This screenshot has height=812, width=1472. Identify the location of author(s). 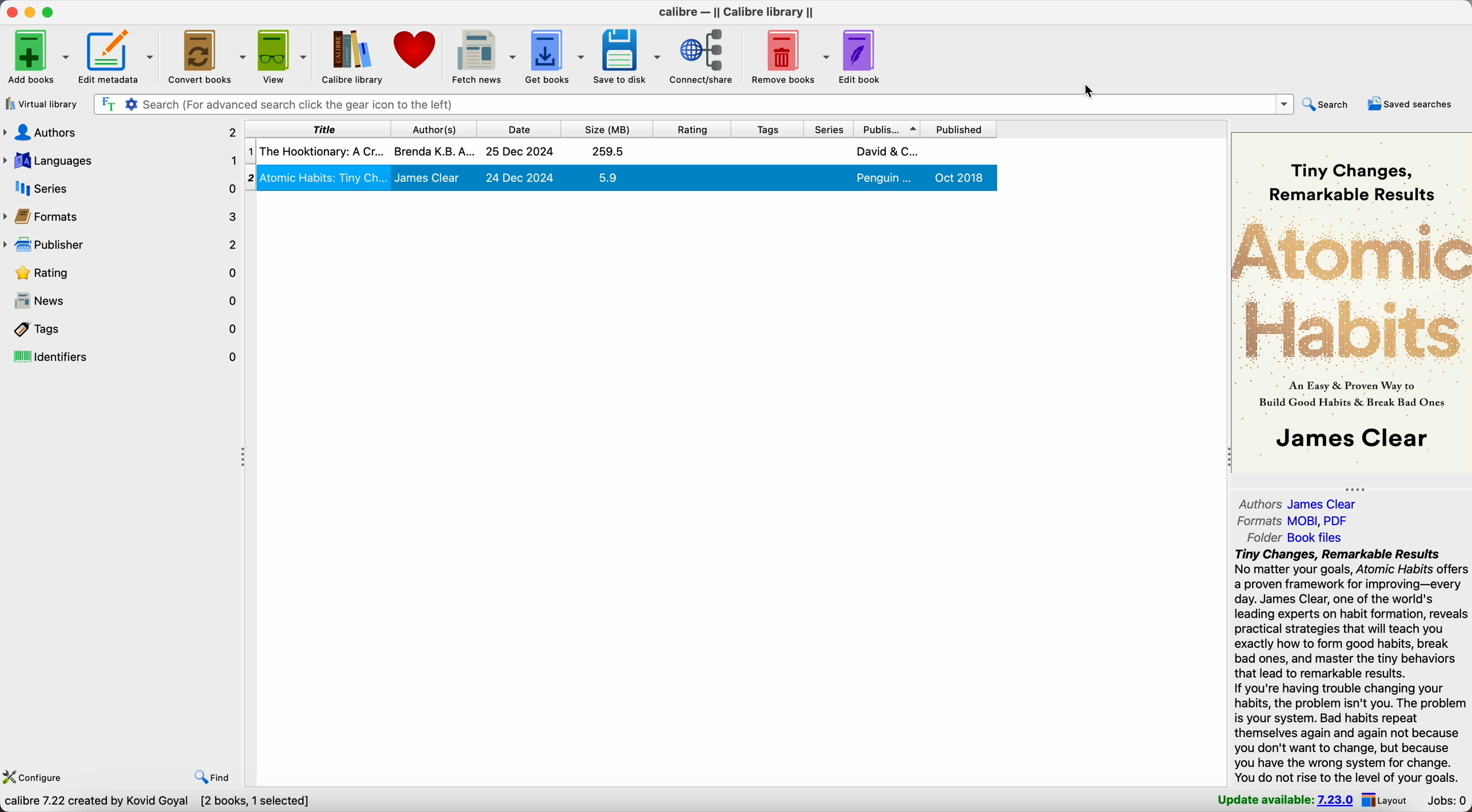
(431, 128).